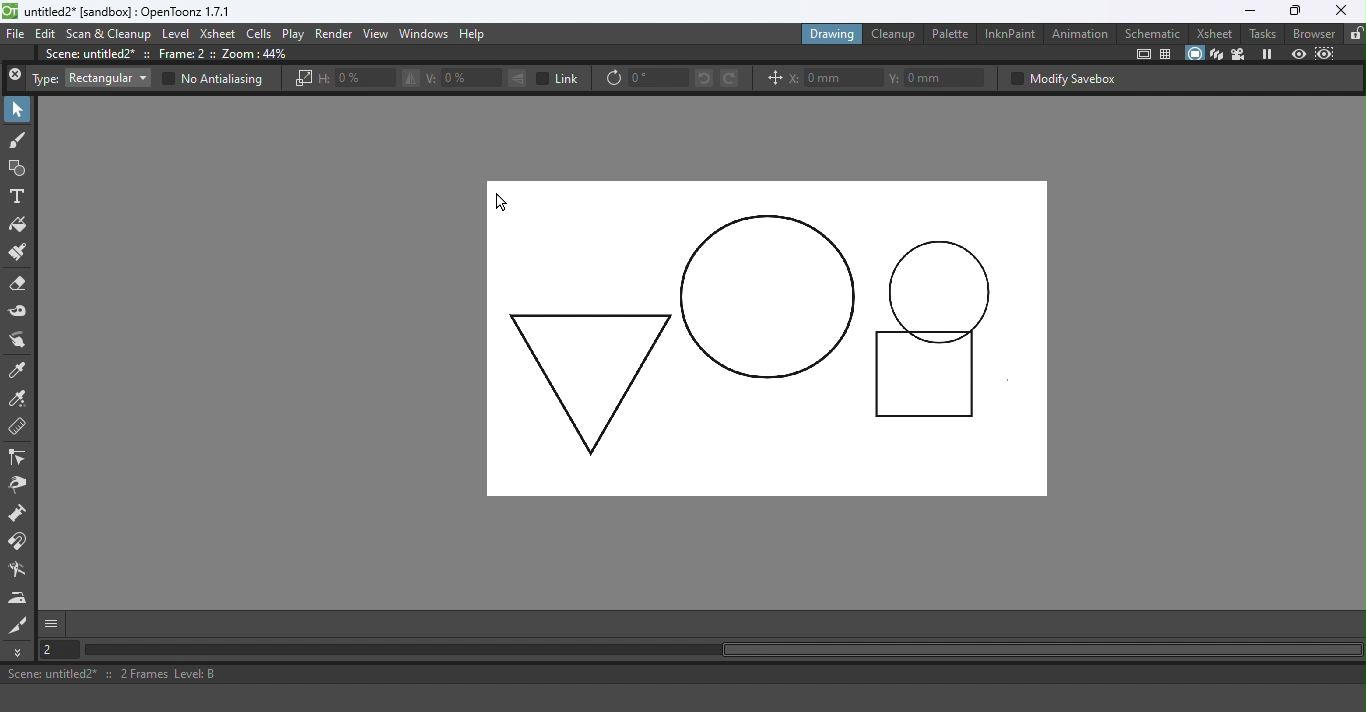  I want to click on Type tool, so click(18, 196).